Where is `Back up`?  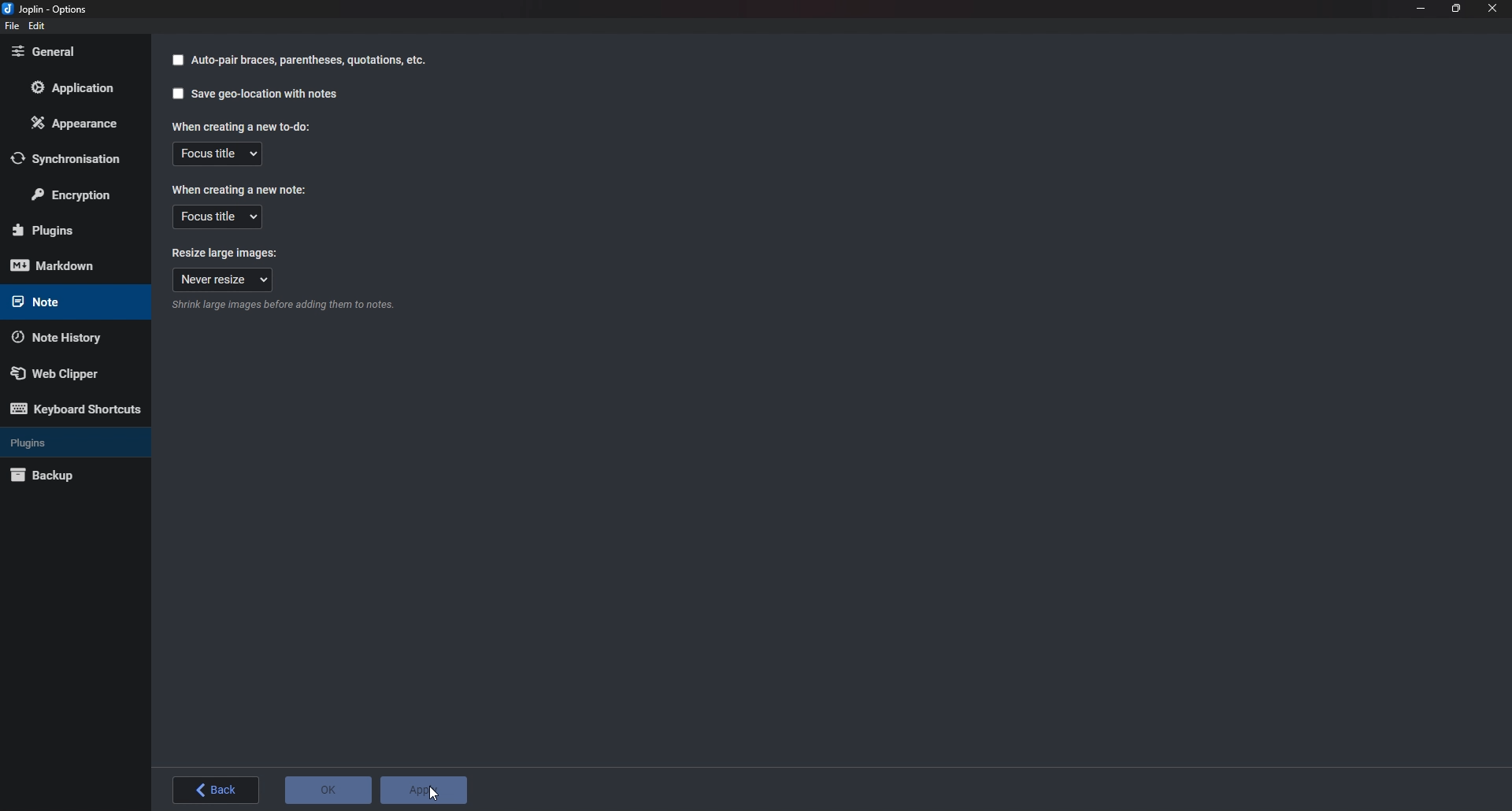
Back up is located at coordinates (69, 474).